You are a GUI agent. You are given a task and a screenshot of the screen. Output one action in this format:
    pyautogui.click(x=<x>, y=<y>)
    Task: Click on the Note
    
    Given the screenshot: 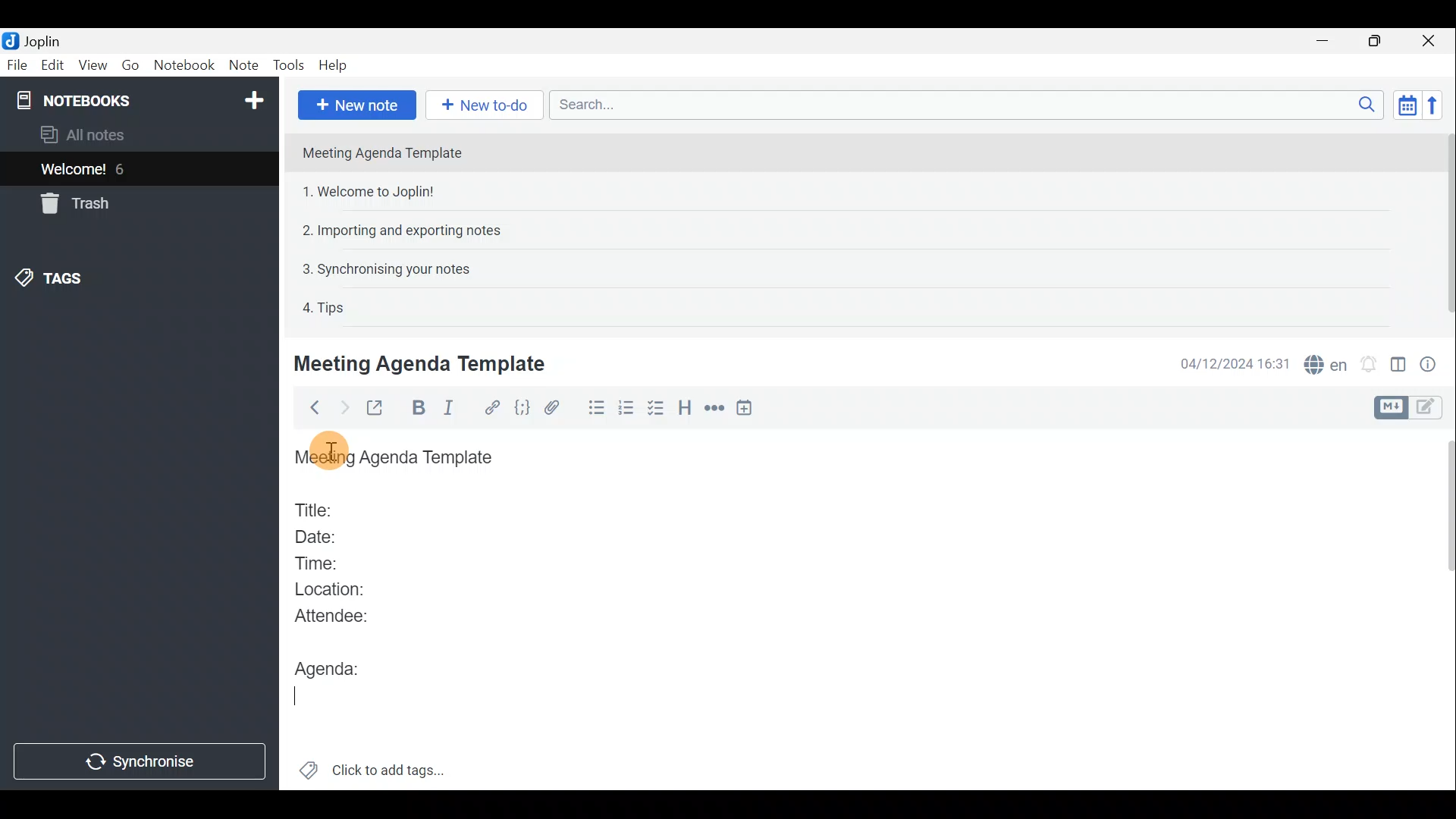 What is the action you would take?
    pyautogui.click(x=242, y=62)
    